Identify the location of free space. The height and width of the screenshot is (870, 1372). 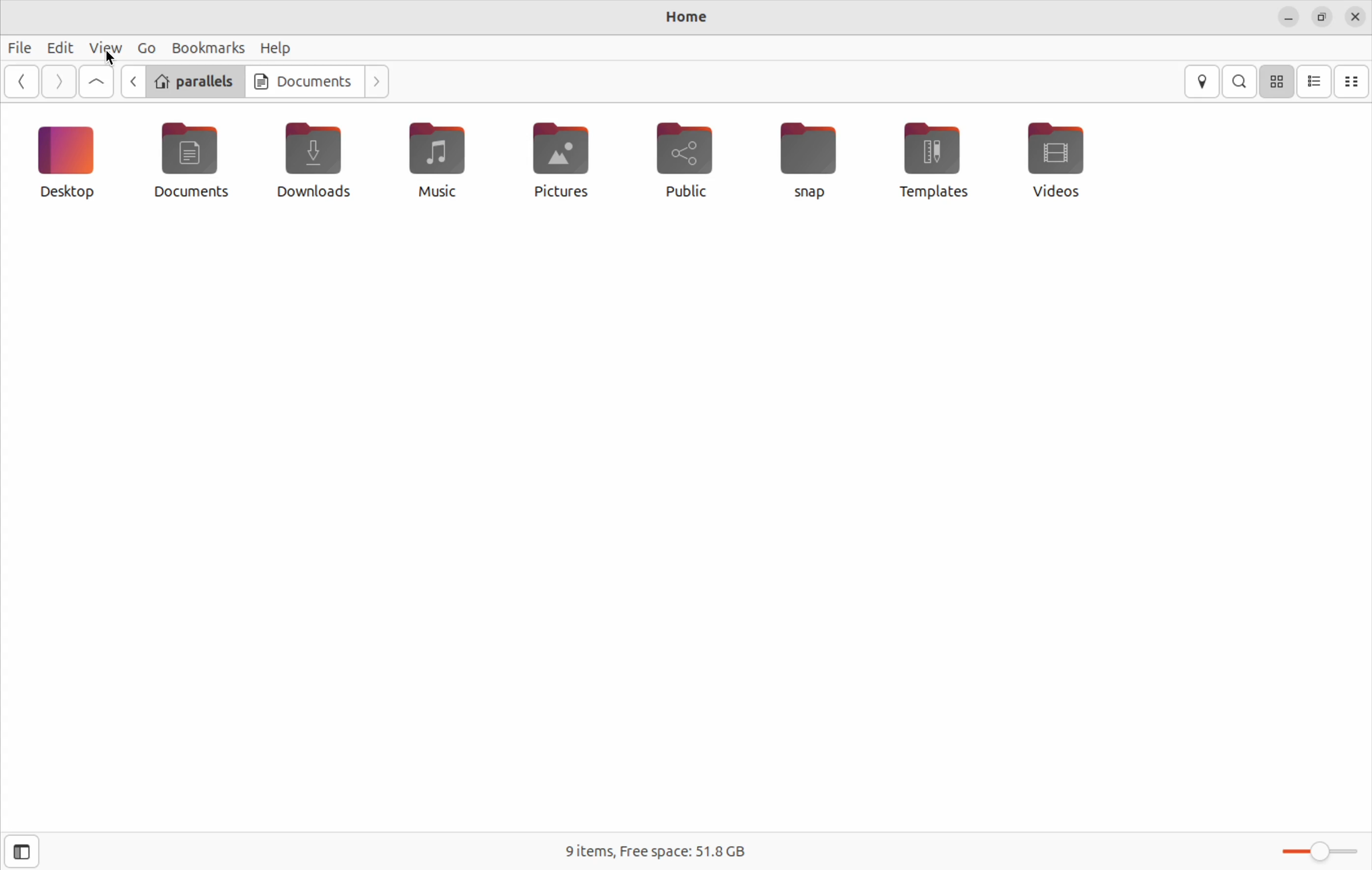
(651, 851).